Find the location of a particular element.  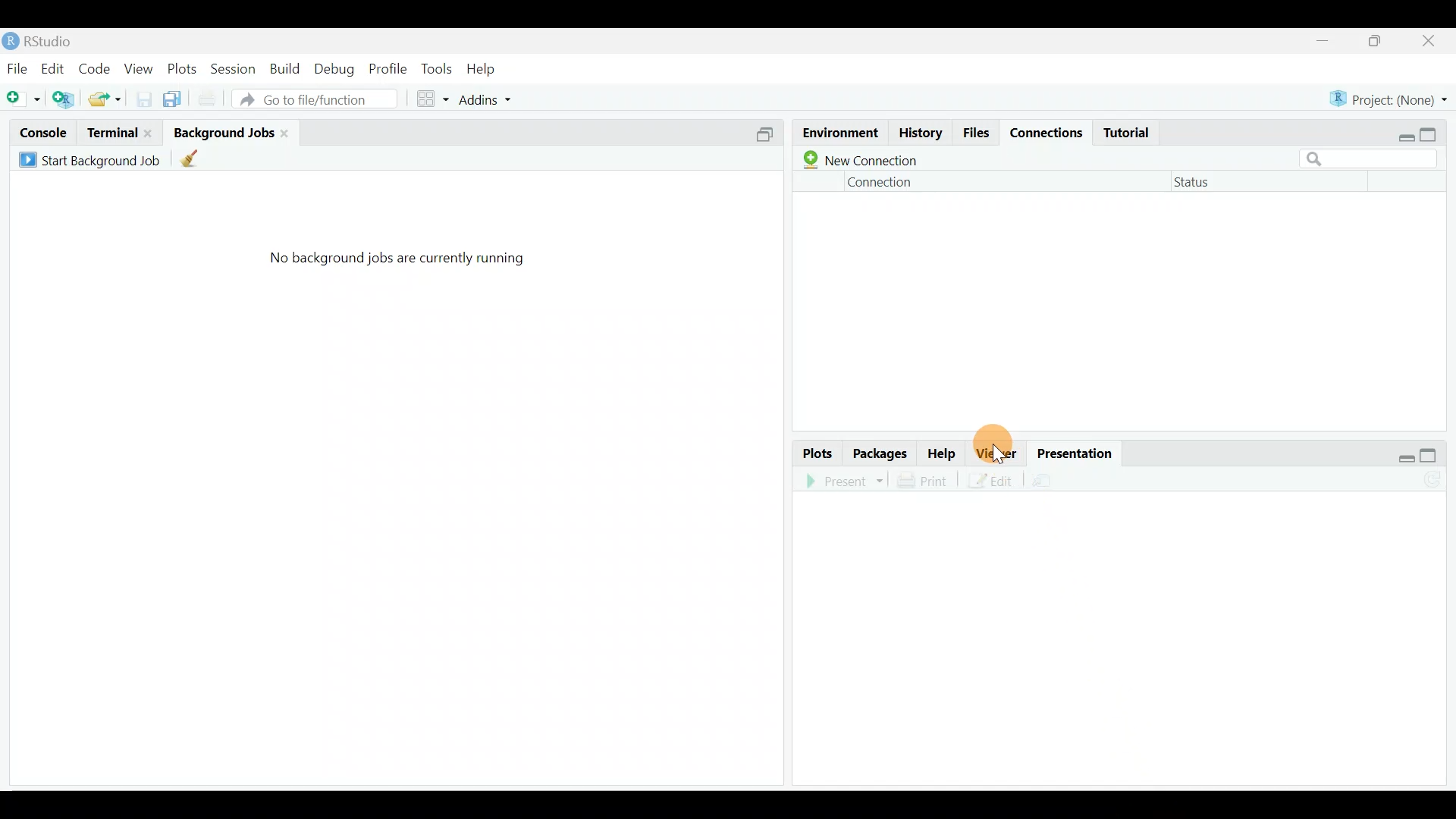

Save all open documents is located at coordinates (174, 96).